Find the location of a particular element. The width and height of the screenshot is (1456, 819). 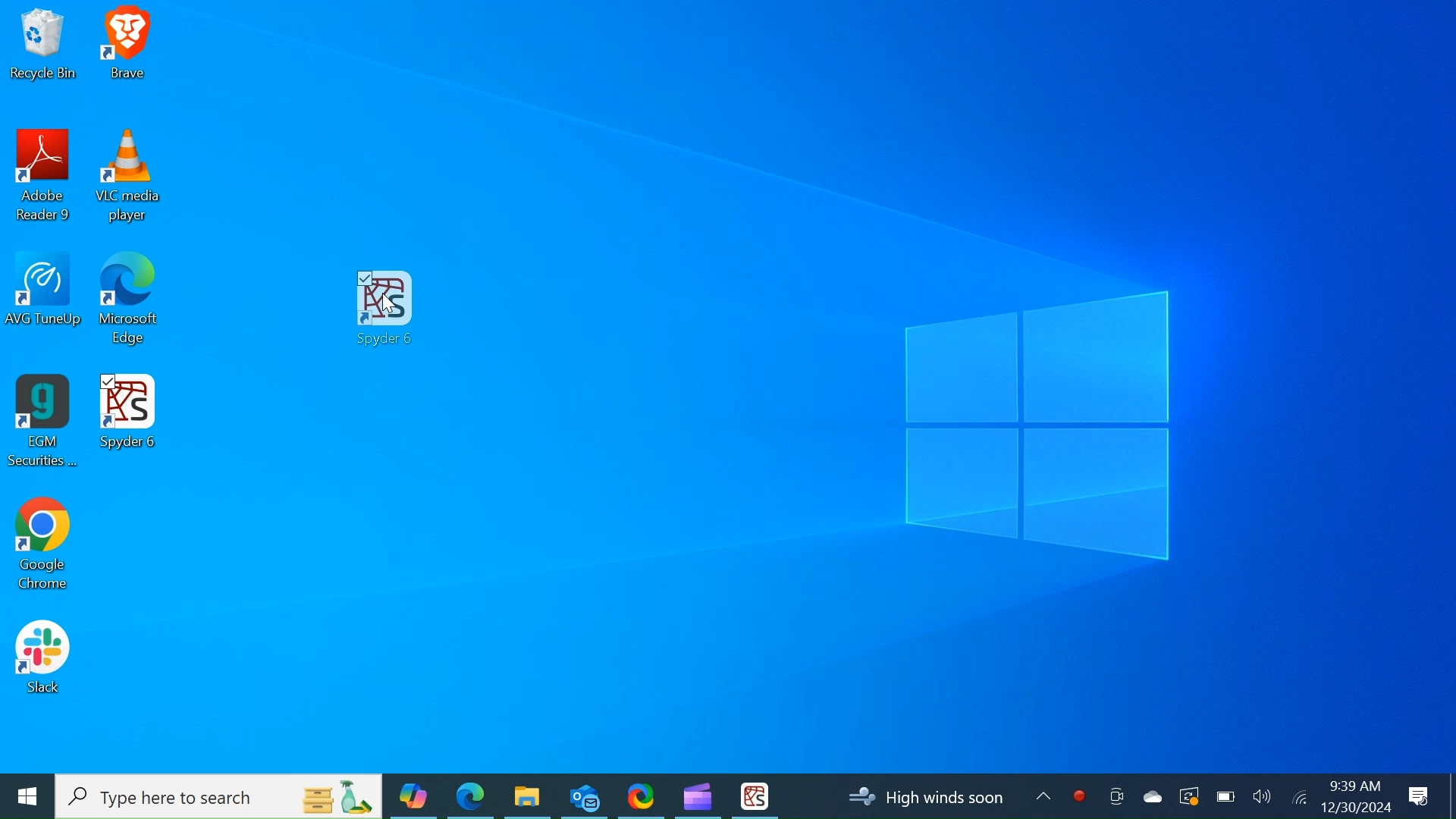

Microsoft Clipchamp is located at coordinates (697, 795).